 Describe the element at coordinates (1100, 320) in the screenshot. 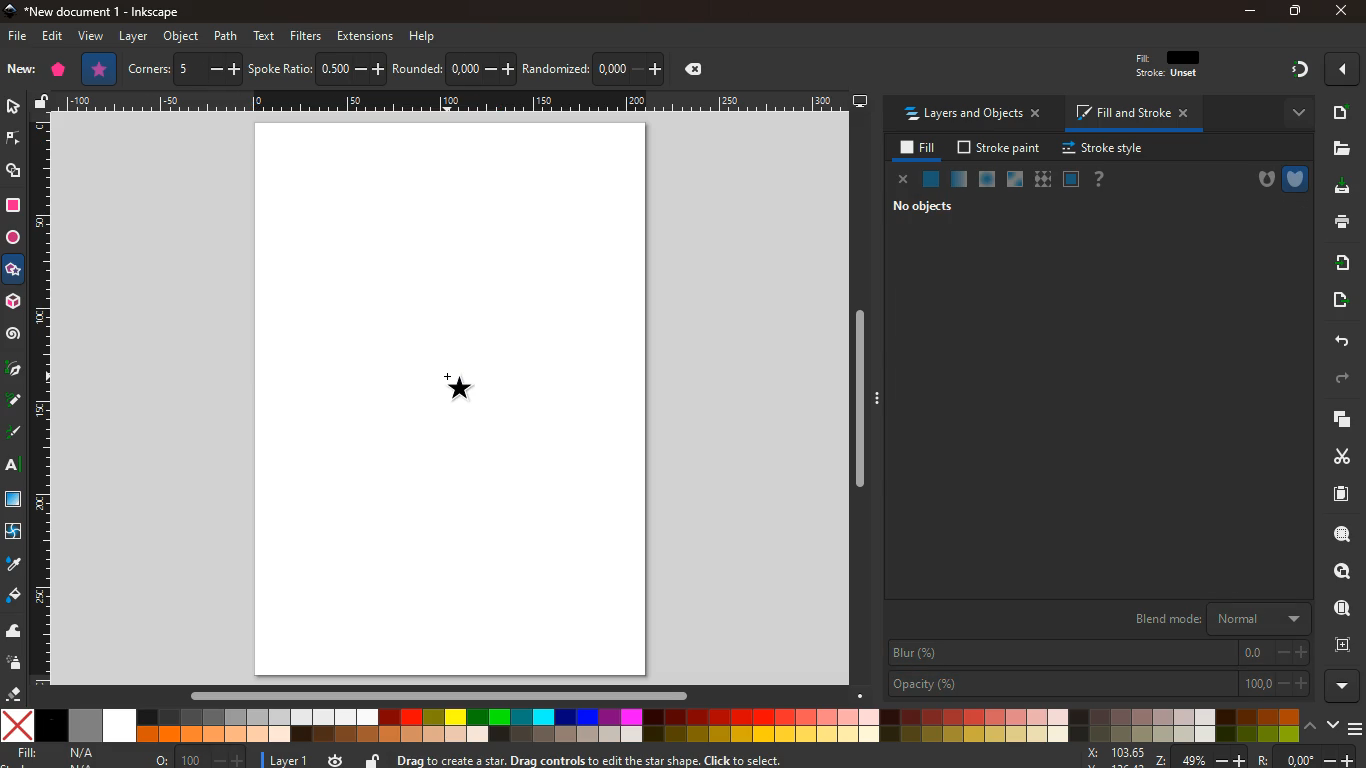

I see `s` at that location.